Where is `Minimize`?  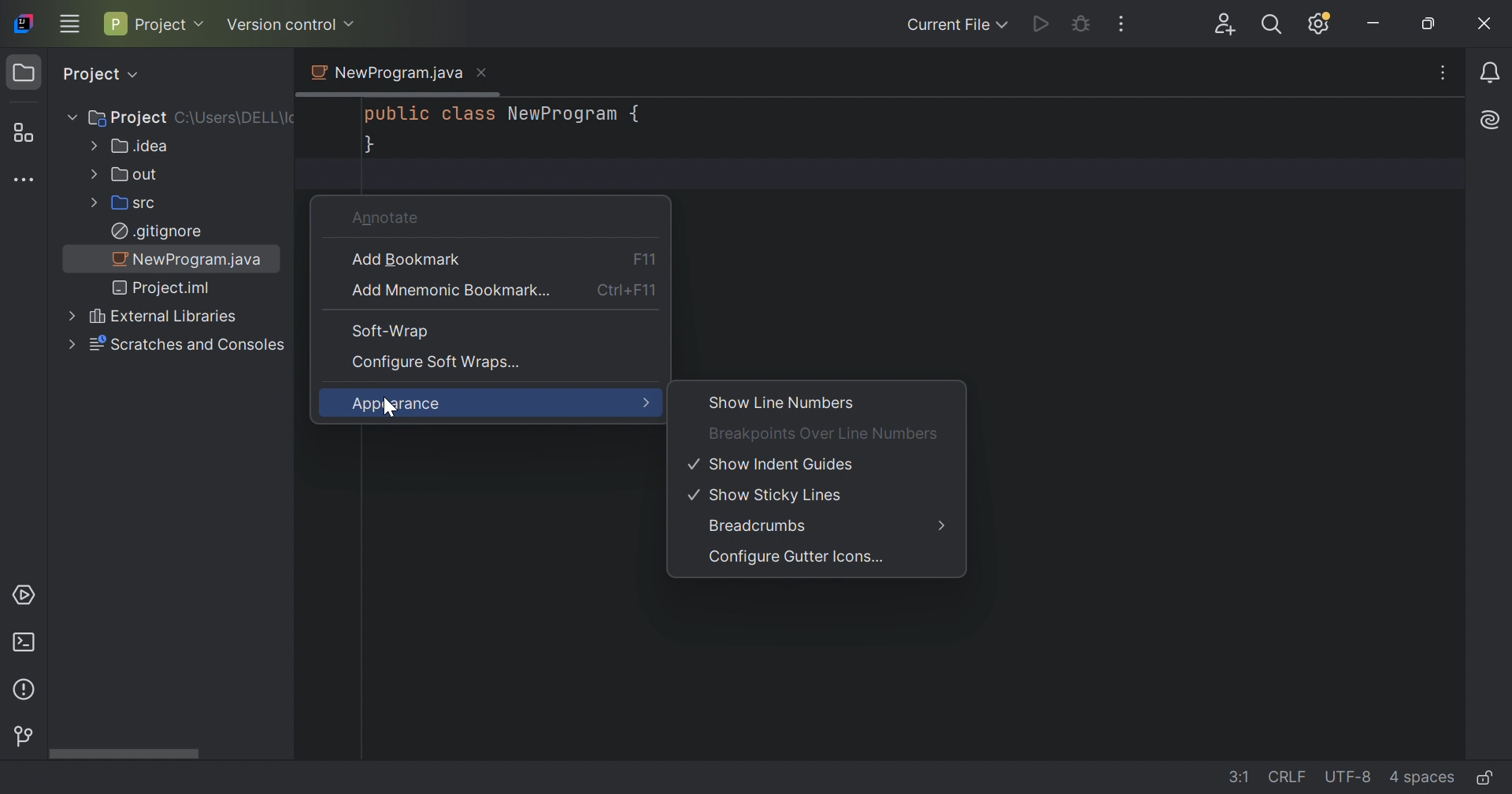
Minimize is located at coordinates (1374, 24).